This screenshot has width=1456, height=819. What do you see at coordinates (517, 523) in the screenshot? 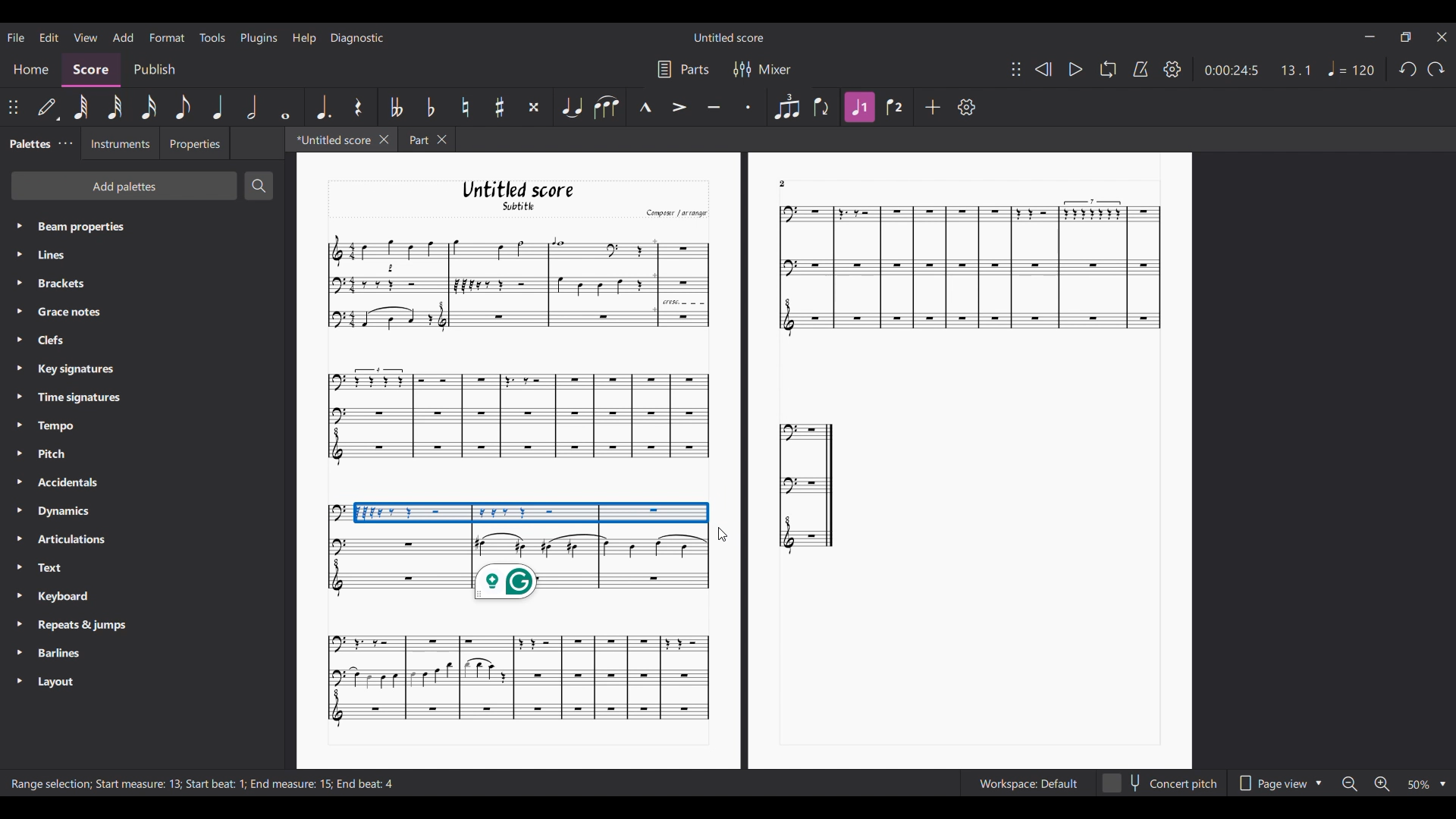
I see `Graph` at bounding box center [517, 523].